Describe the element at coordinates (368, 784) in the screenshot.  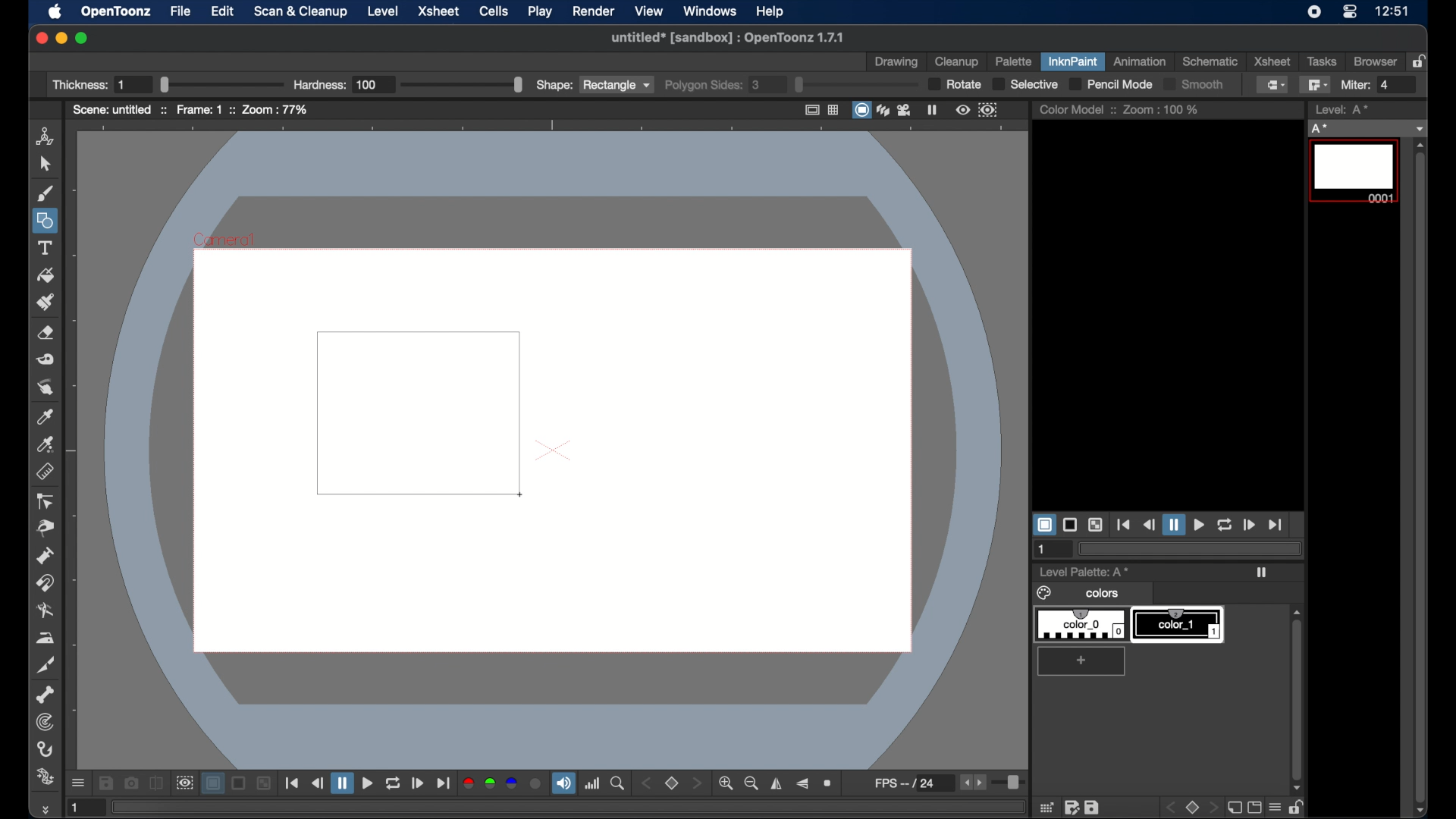
I see `play button` at that location.